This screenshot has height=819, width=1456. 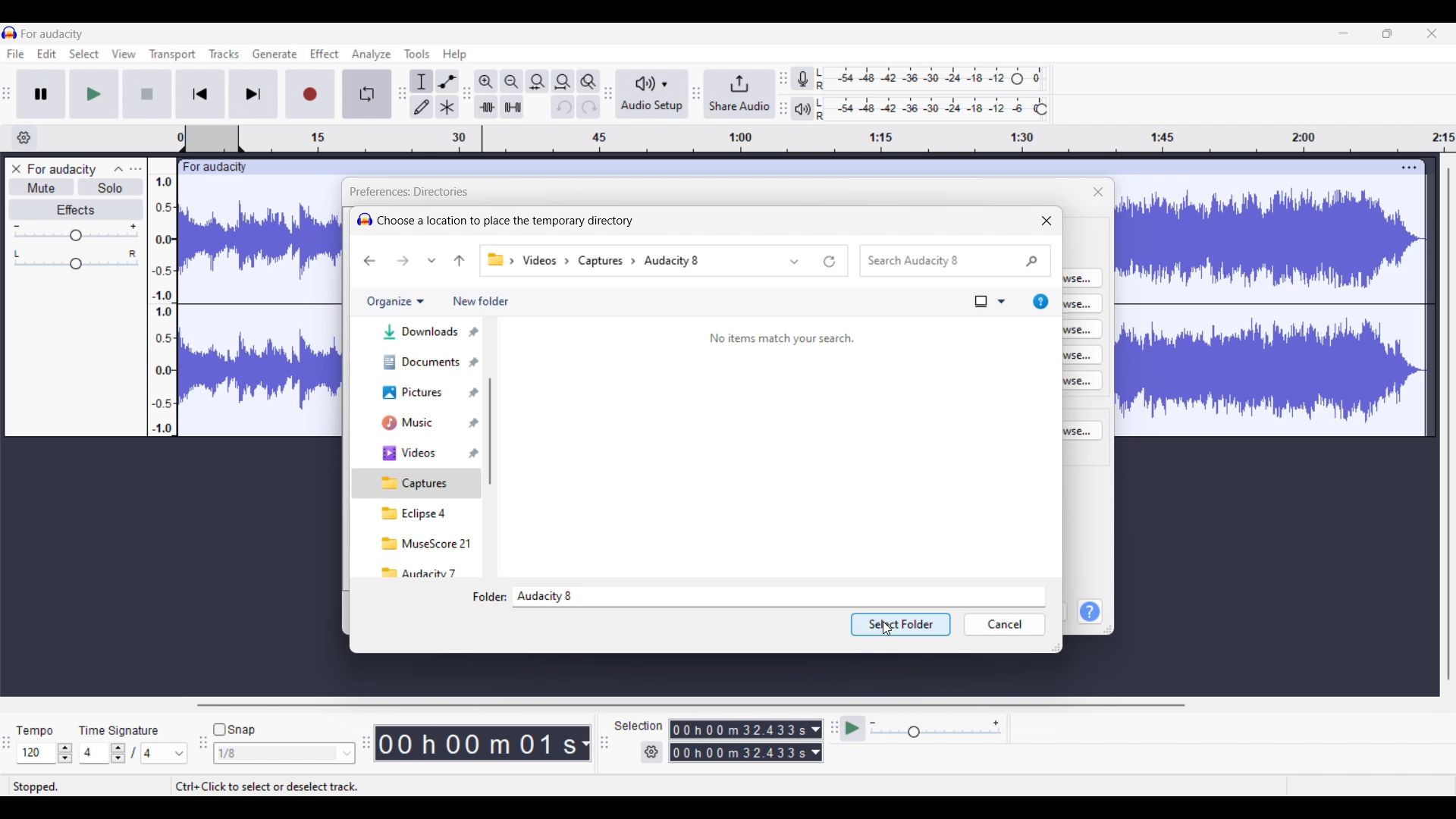 What do you see at coordinates (43, 188) in the screenshot?
I see `Mute` at bounding box center [43, 188].